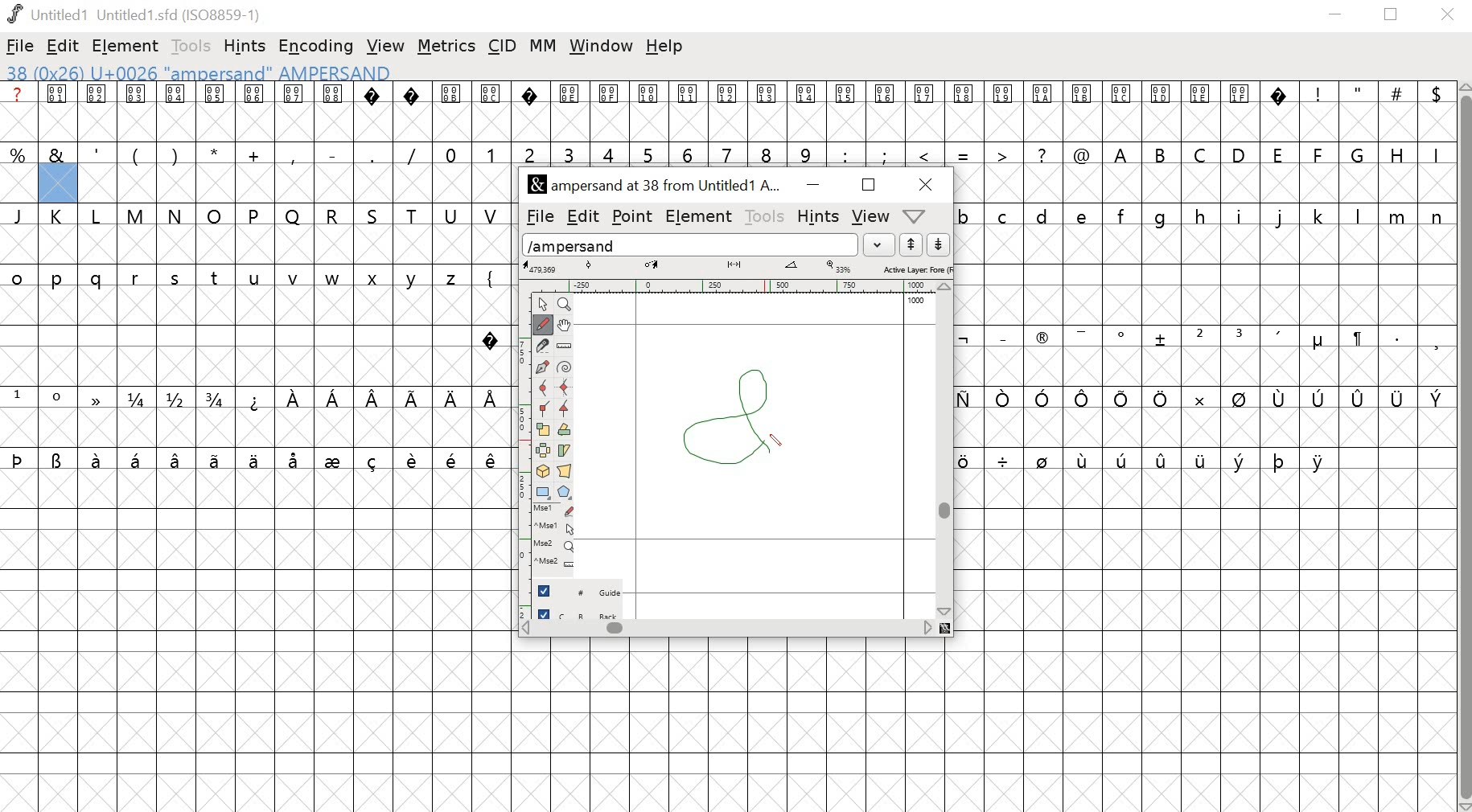 The image size is (1472, 812). I want to click on 2, so click(1199, 336).